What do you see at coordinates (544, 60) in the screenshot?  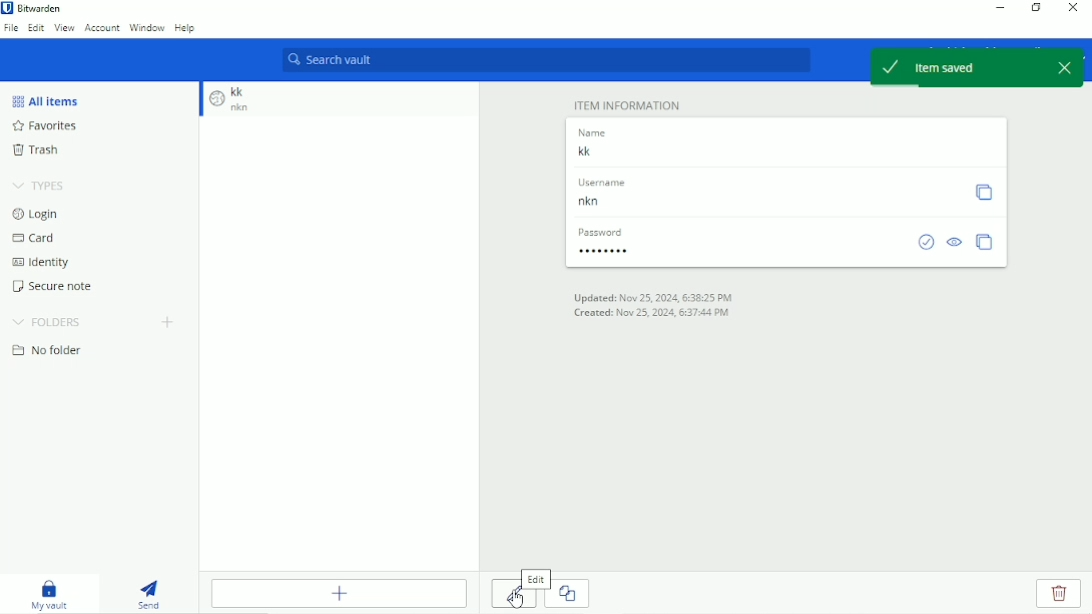 I see `Search vault` at bounding box center [544, 60].